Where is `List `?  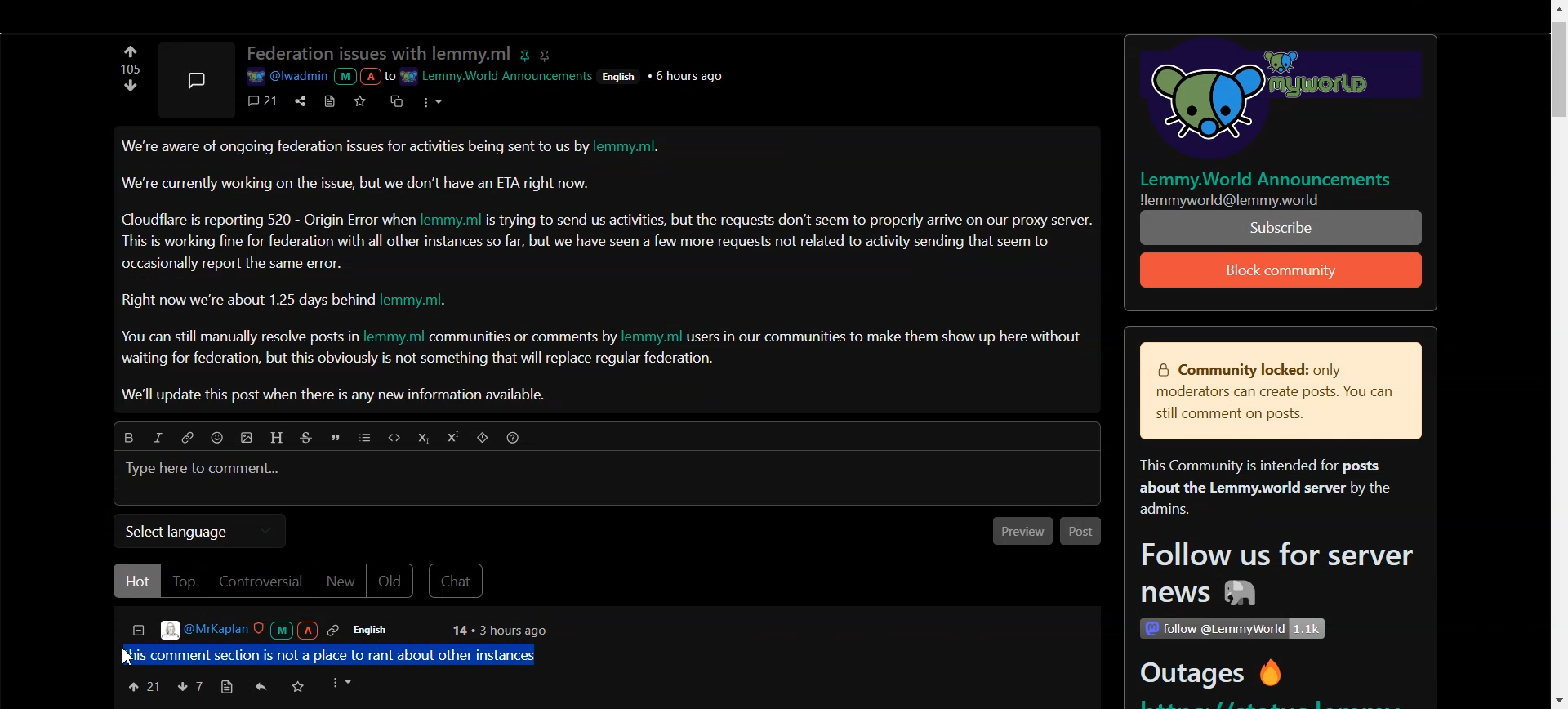
List  is located at coordinates (366, 439).